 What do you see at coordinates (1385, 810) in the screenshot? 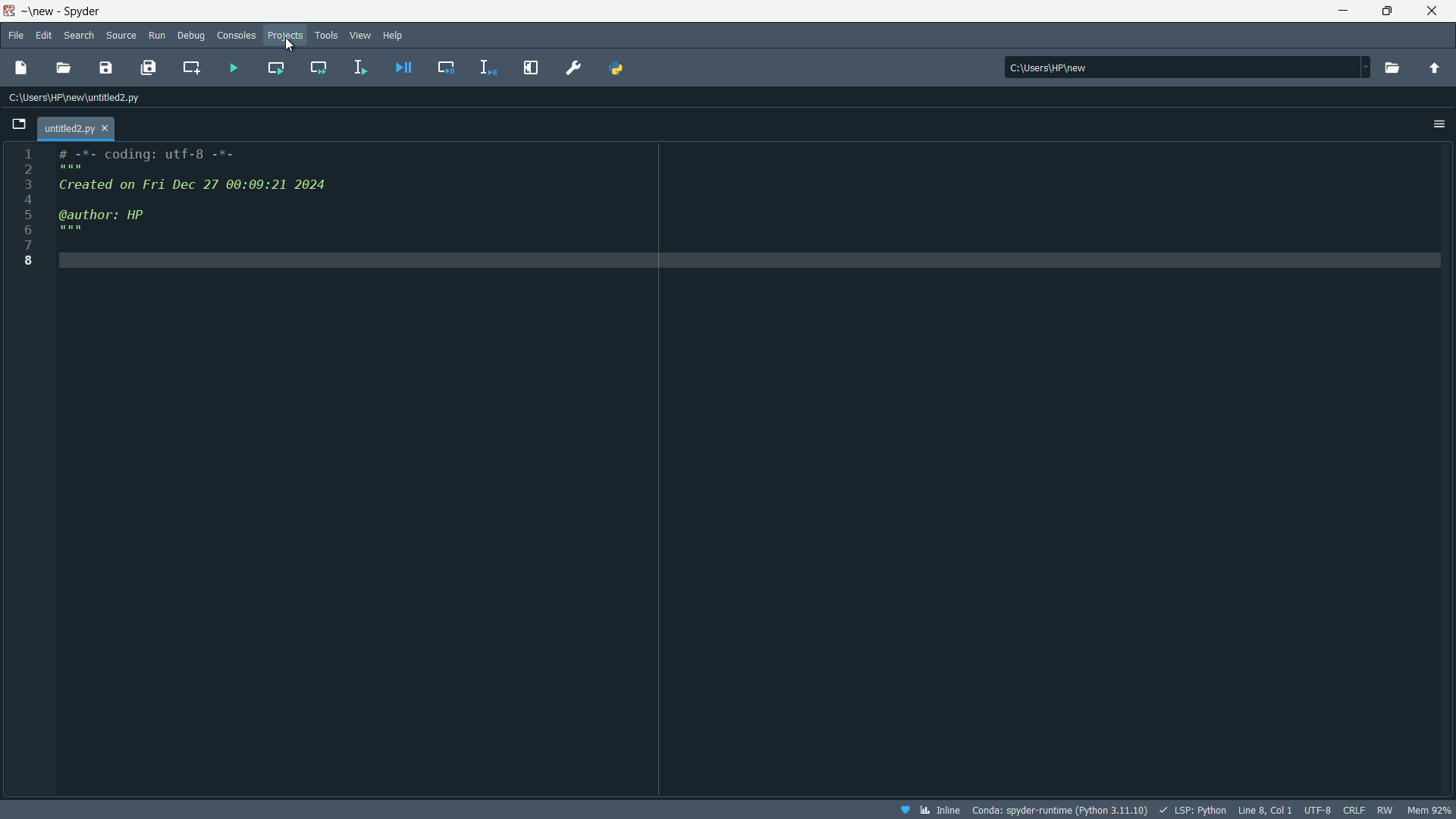
I see `rw` at bounding box center [1385, 810].